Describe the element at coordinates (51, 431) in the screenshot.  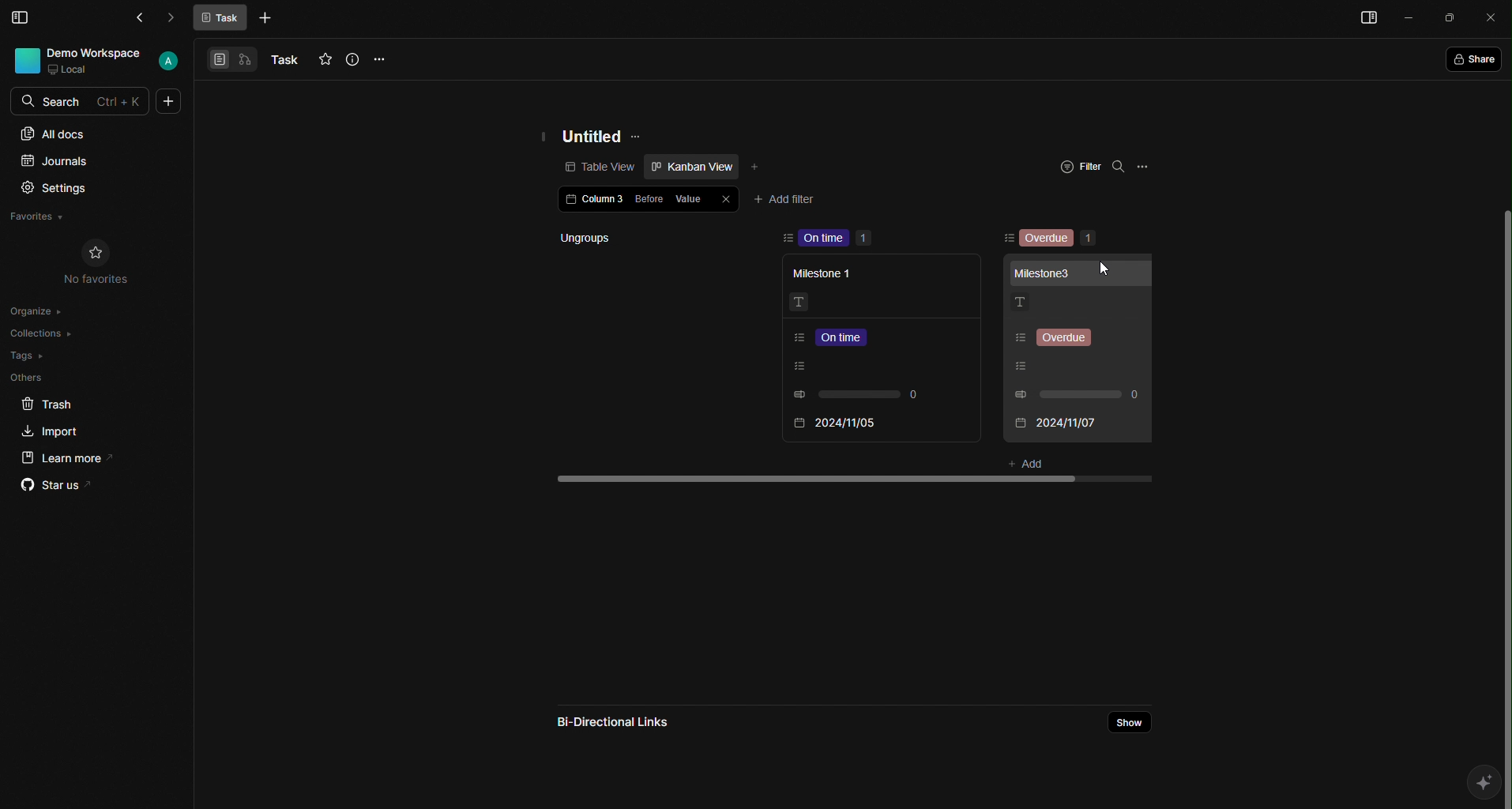
I see `Import` at that location.